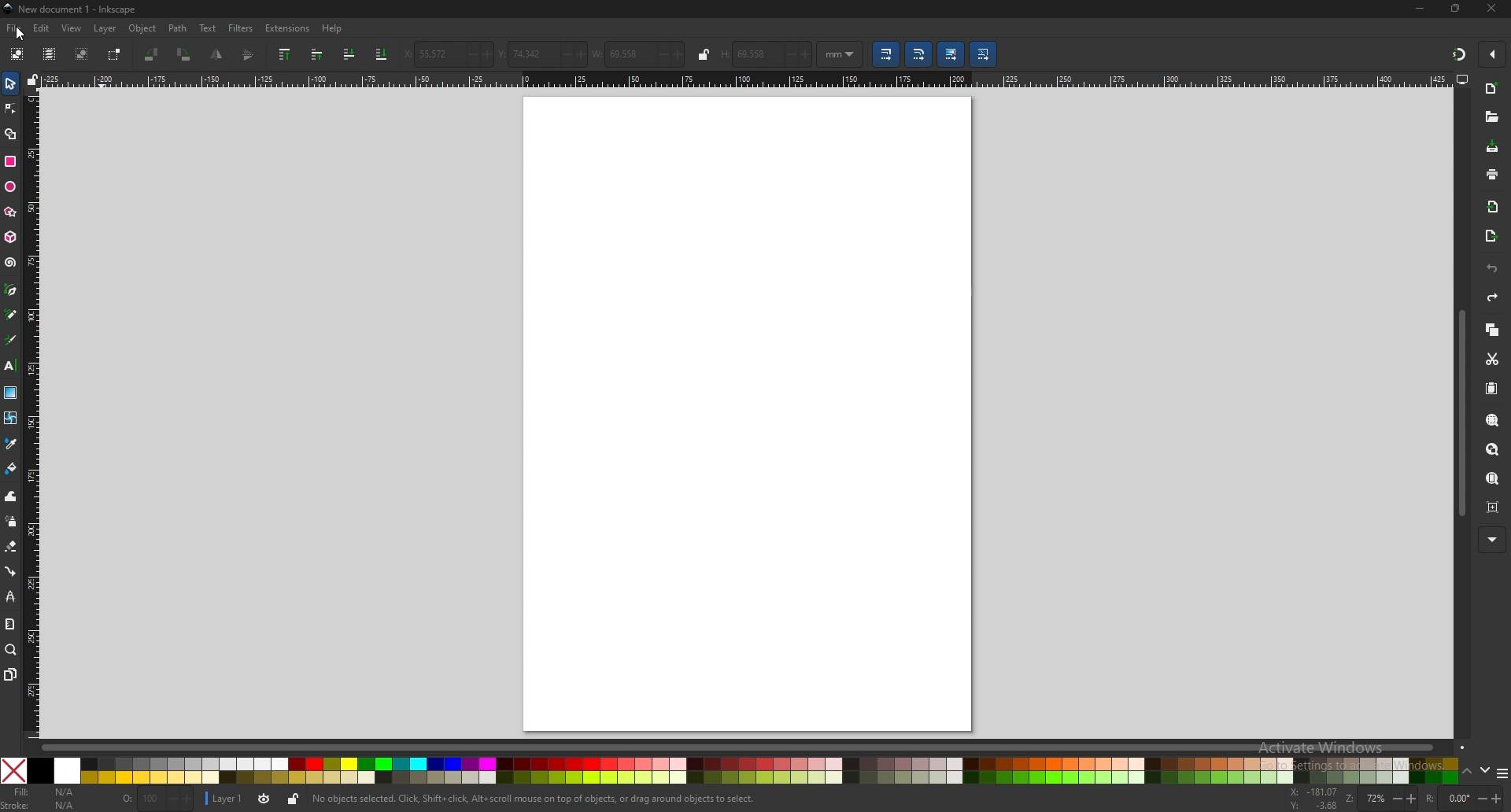 The width and height of the screenshot is (1511, 812). What do you see at coordinates (808, 55) in the screenshot?
I see `+` at bounding box center [808, 55].